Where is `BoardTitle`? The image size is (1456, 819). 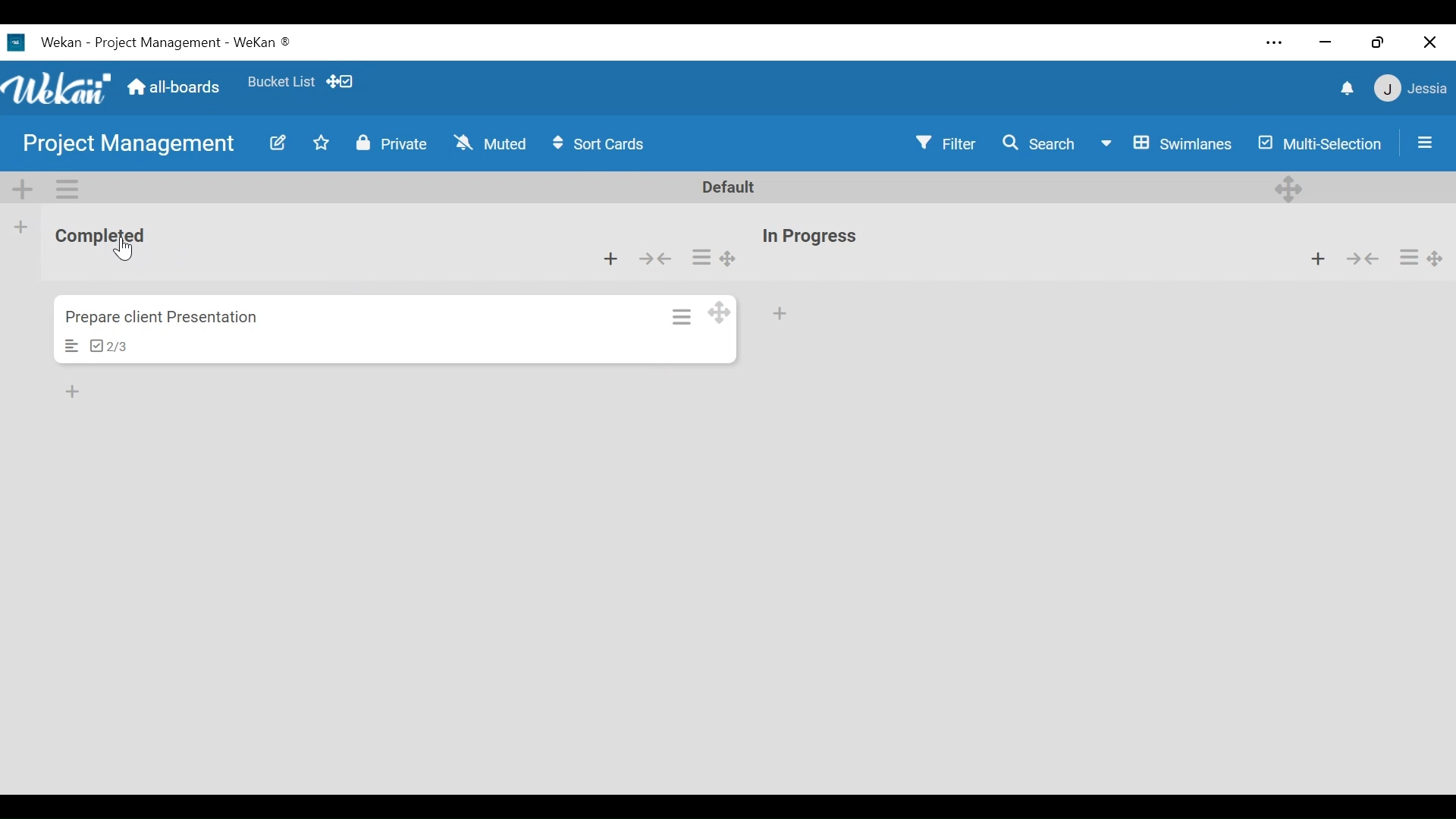 BoardTitle is located at coordinates (129, 145).